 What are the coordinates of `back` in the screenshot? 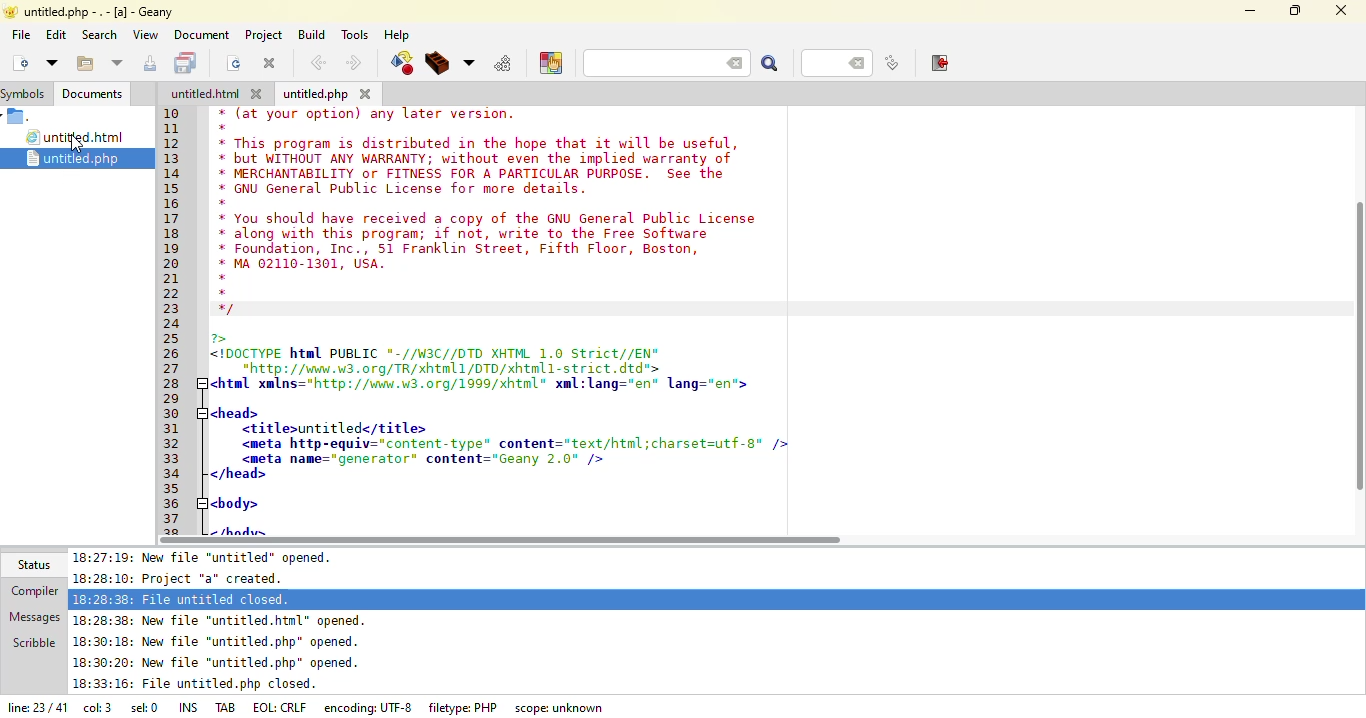 It's located at (318, 62).